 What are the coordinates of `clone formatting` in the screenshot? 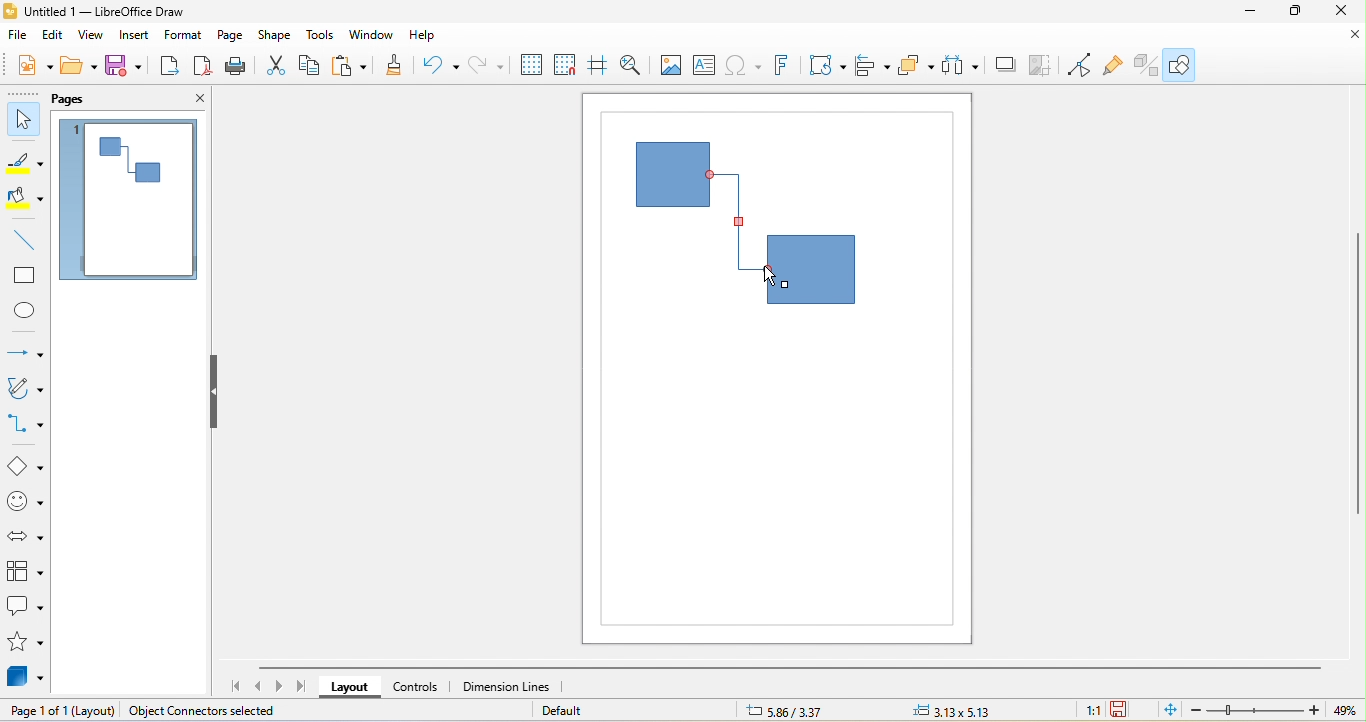 It's located at (397, 68).